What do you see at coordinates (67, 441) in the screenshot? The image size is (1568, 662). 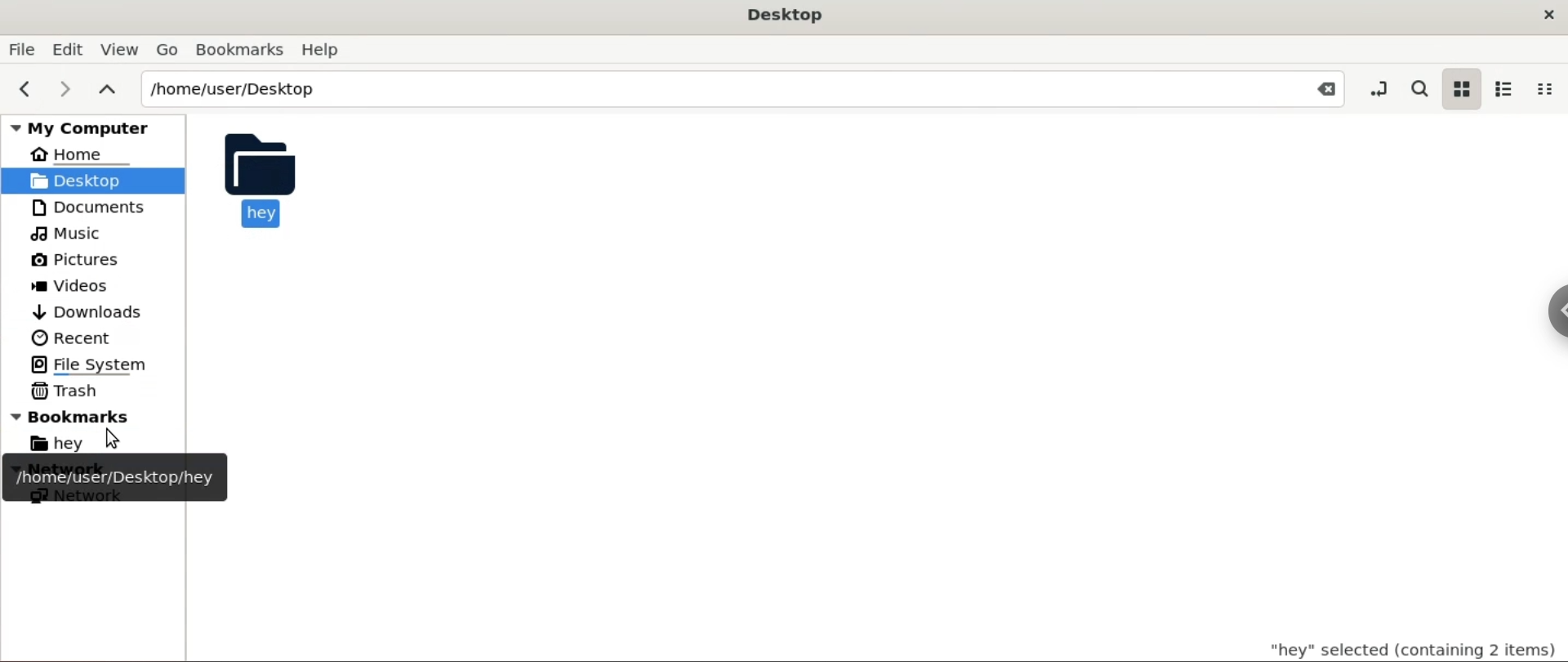 I see `hey` at bounding box center [67, 441].